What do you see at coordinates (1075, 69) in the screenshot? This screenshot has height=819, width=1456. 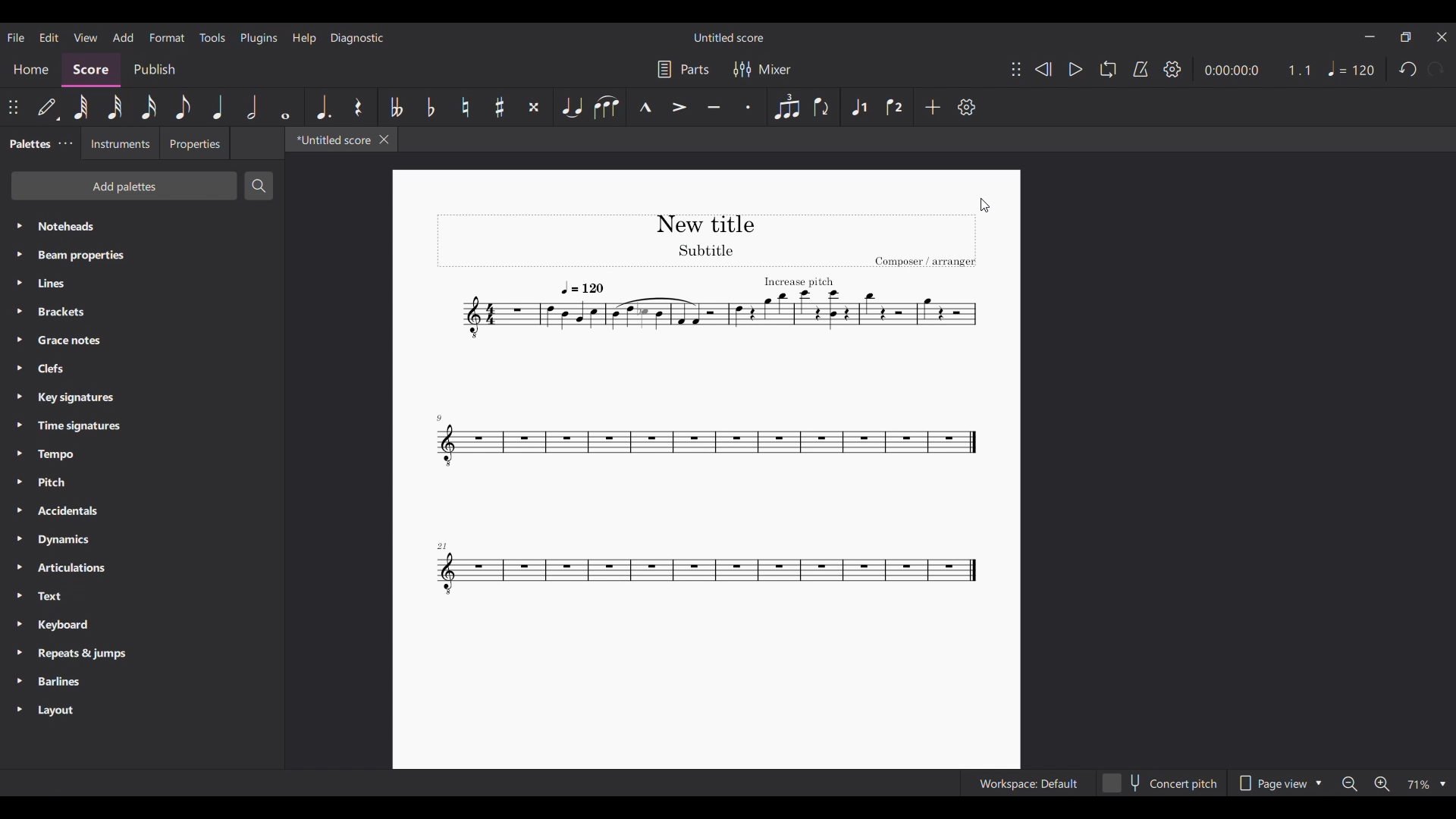 I see `Play` at bounding box center [1075, 69].